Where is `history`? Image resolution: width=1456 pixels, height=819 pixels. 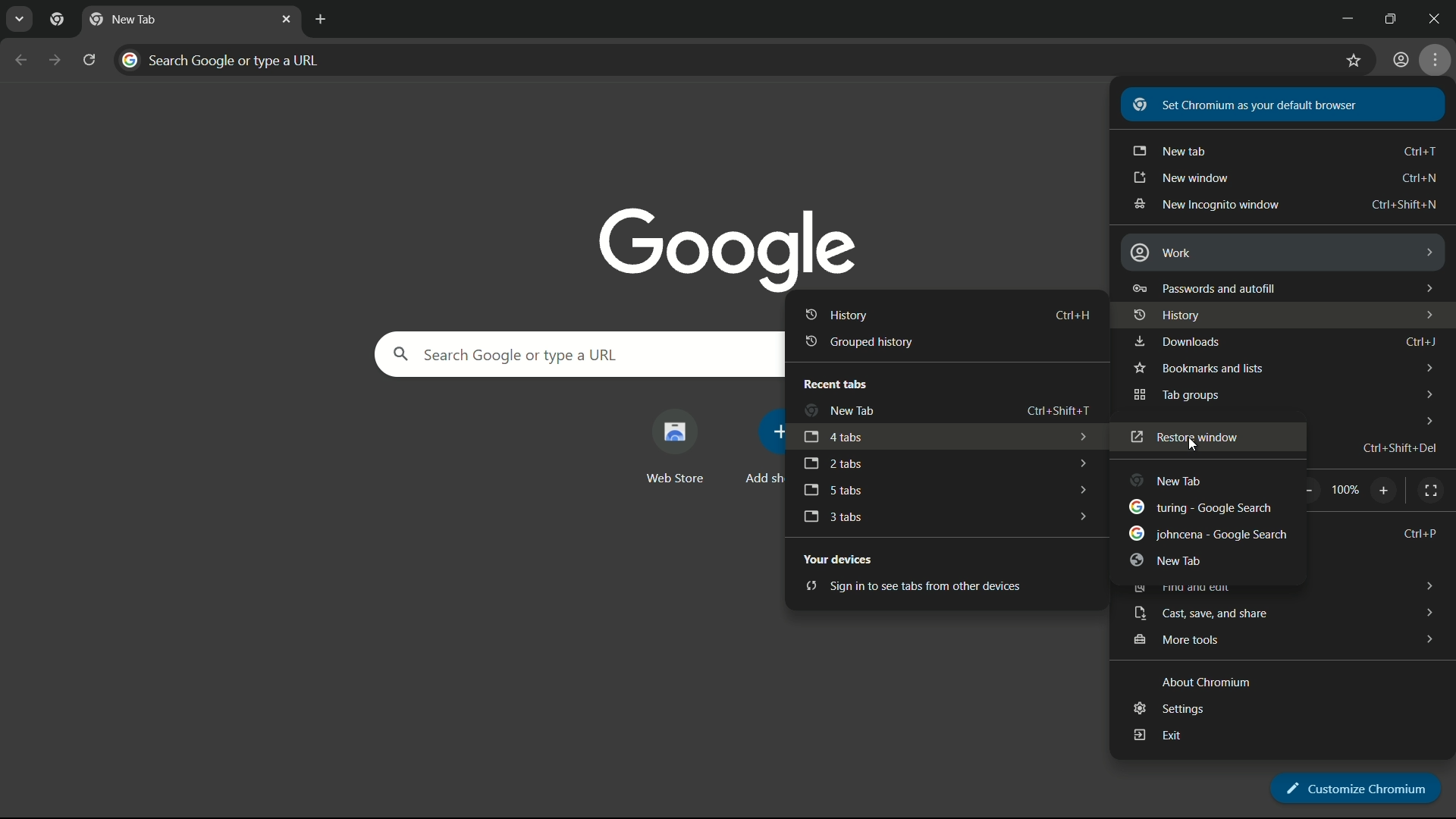 history is located at coordinates (1169, 316).